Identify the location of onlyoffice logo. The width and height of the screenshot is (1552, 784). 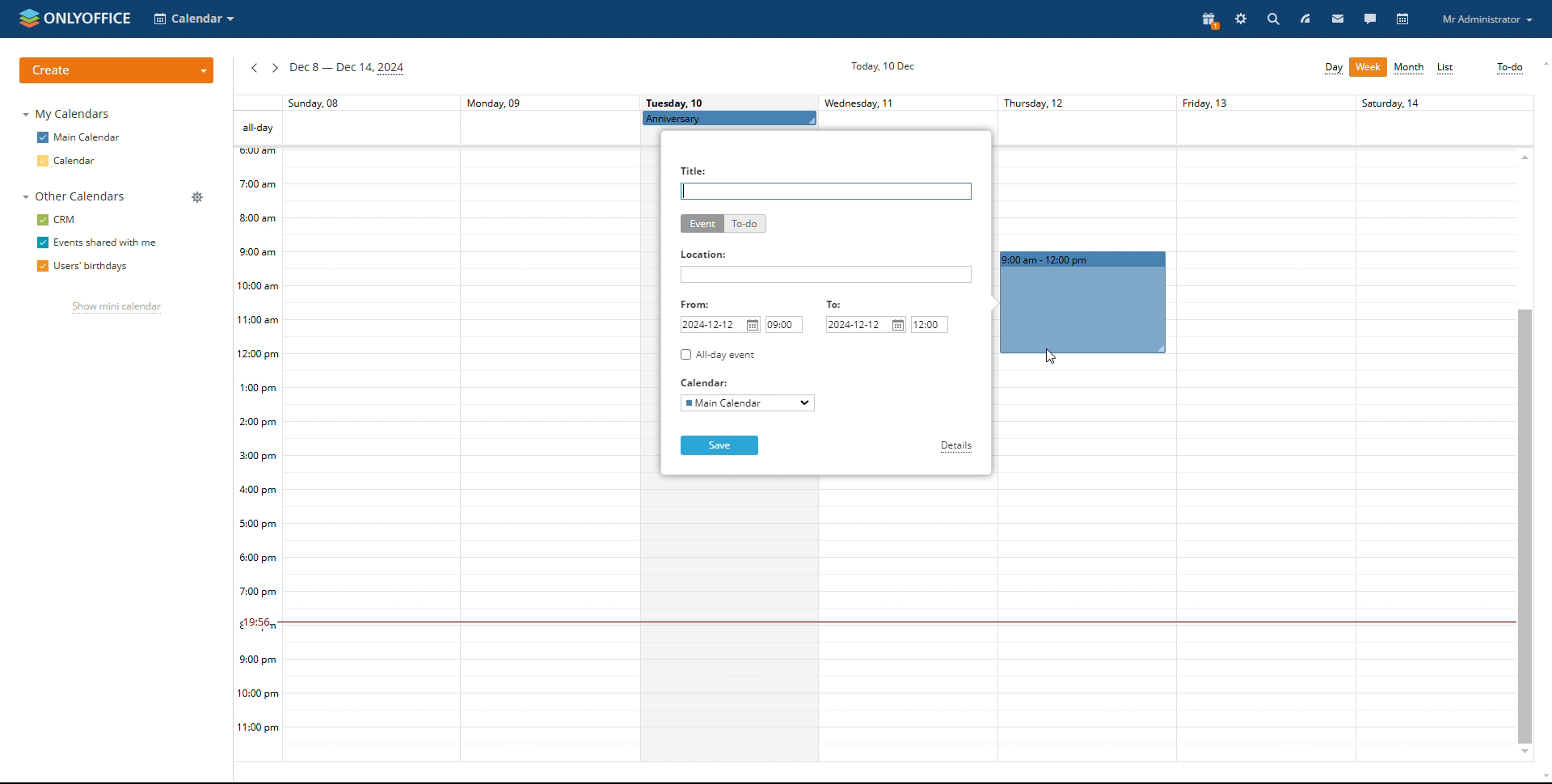
(28, 18).